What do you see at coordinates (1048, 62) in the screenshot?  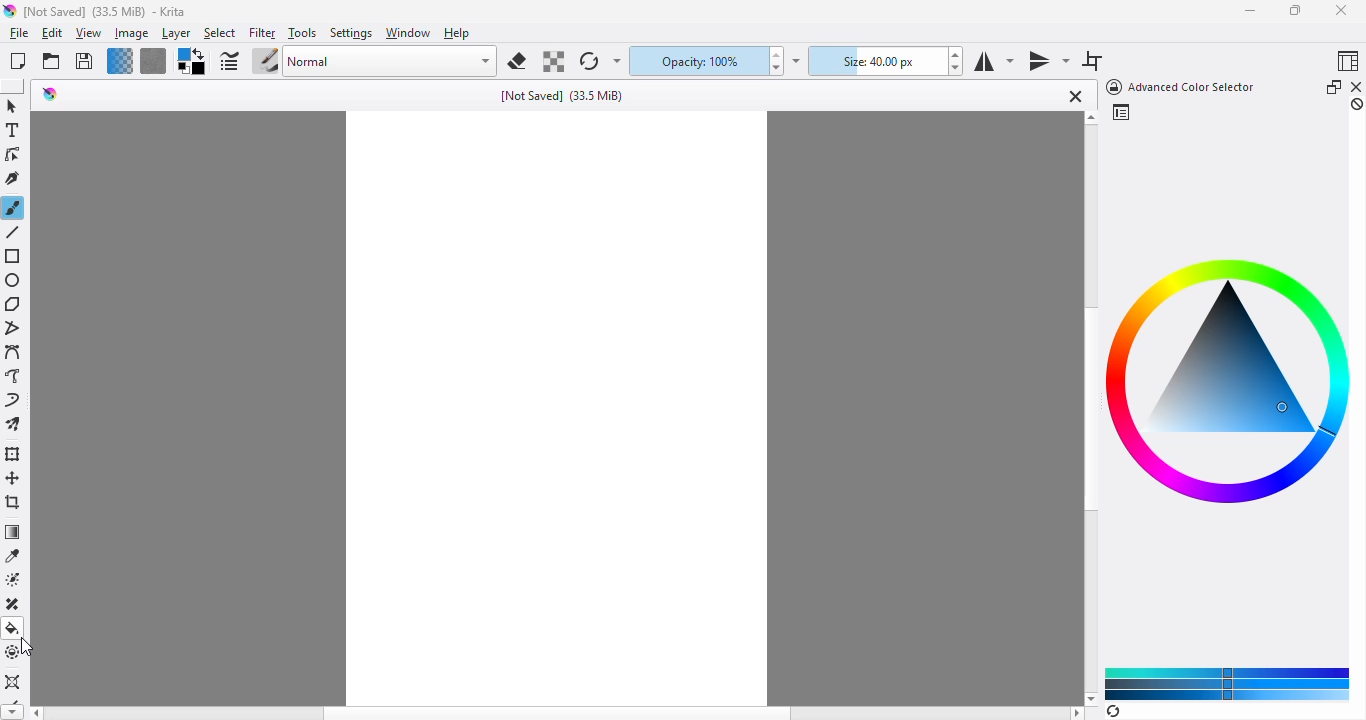 I see `vertical mirror tool` at bounding box center [1048, 62].